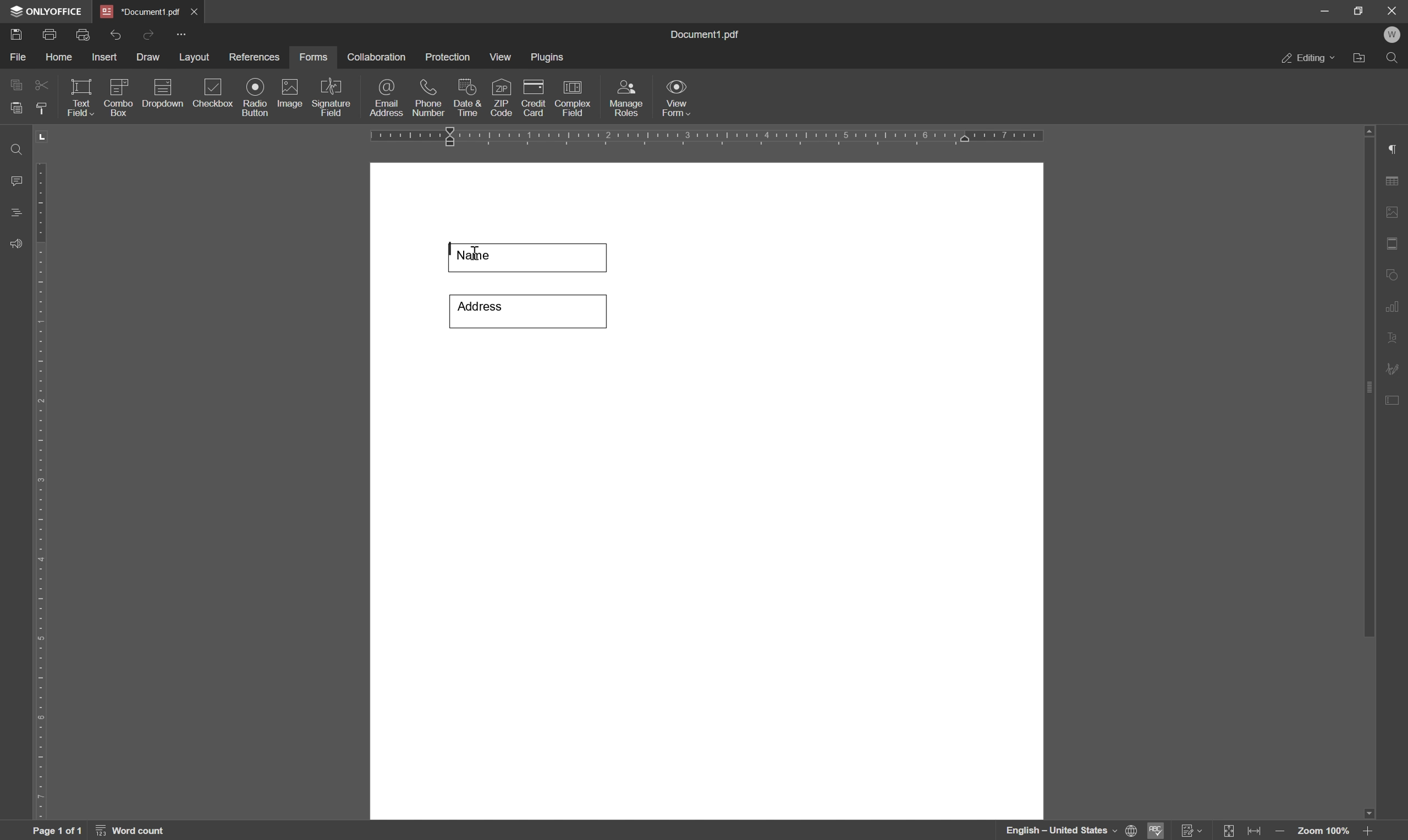  What do you see at coordinates (292, 95) in the screenshot?
I see `image` at bounding box center [292, 95].